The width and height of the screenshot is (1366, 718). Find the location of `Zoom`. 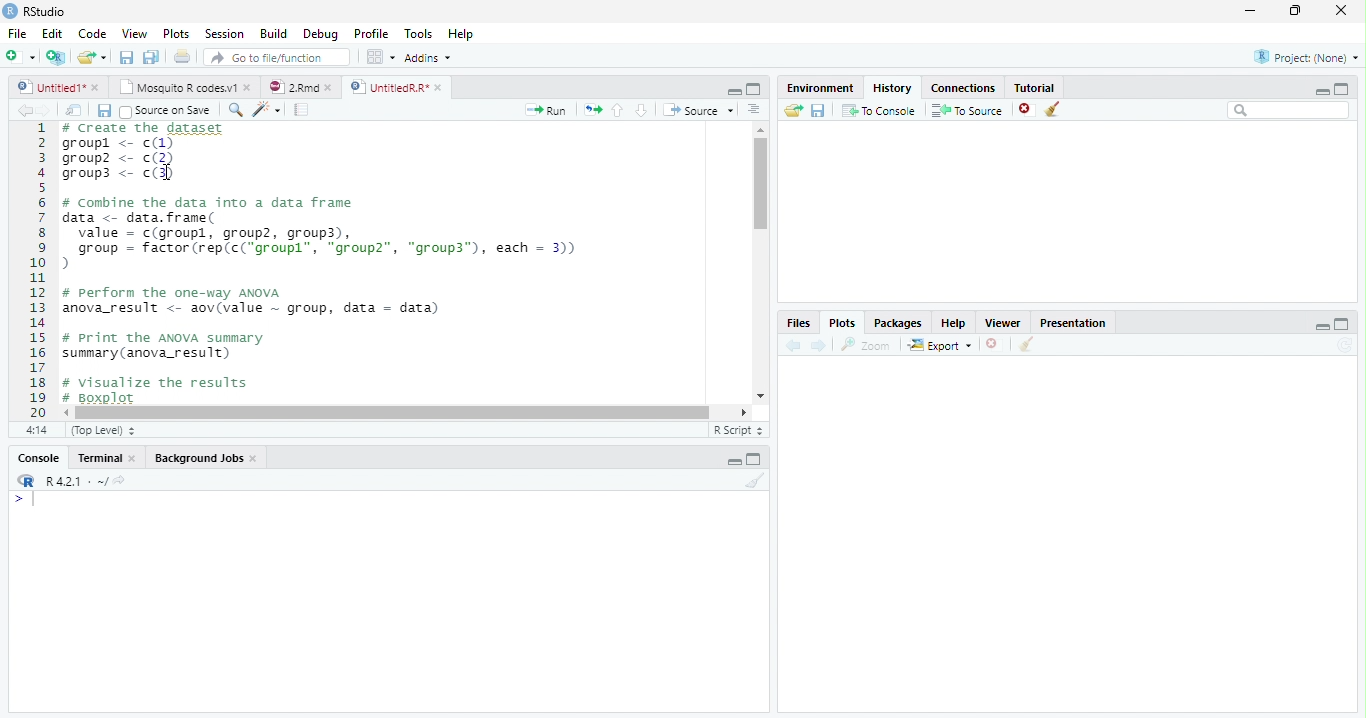

Zoom is located at coordinates (867, 345).